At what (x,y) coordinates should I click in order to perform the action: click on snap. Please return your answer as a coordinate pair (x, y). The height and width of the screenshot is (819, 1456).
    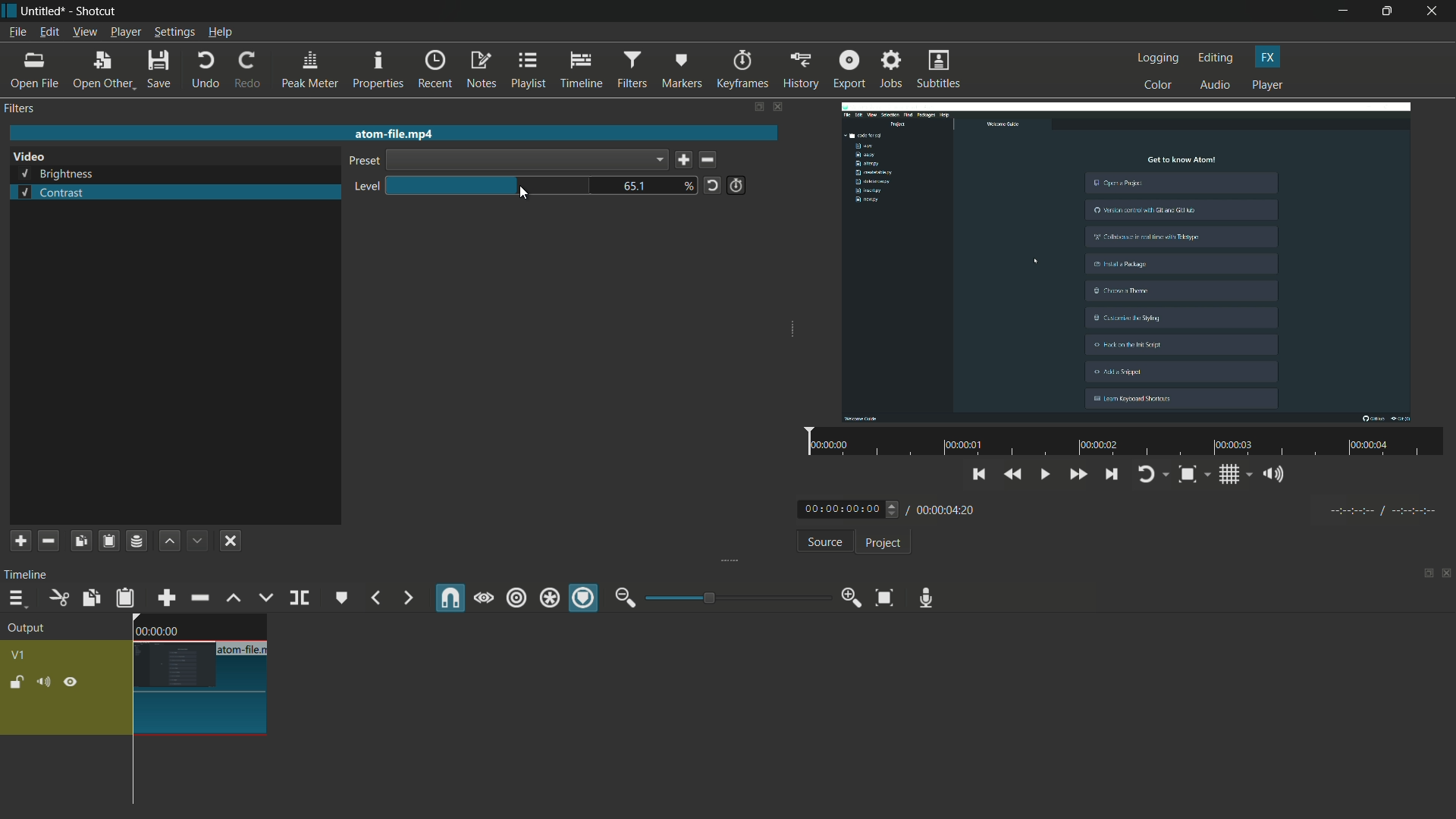
    Looking at the image, I should click on (451, 598).